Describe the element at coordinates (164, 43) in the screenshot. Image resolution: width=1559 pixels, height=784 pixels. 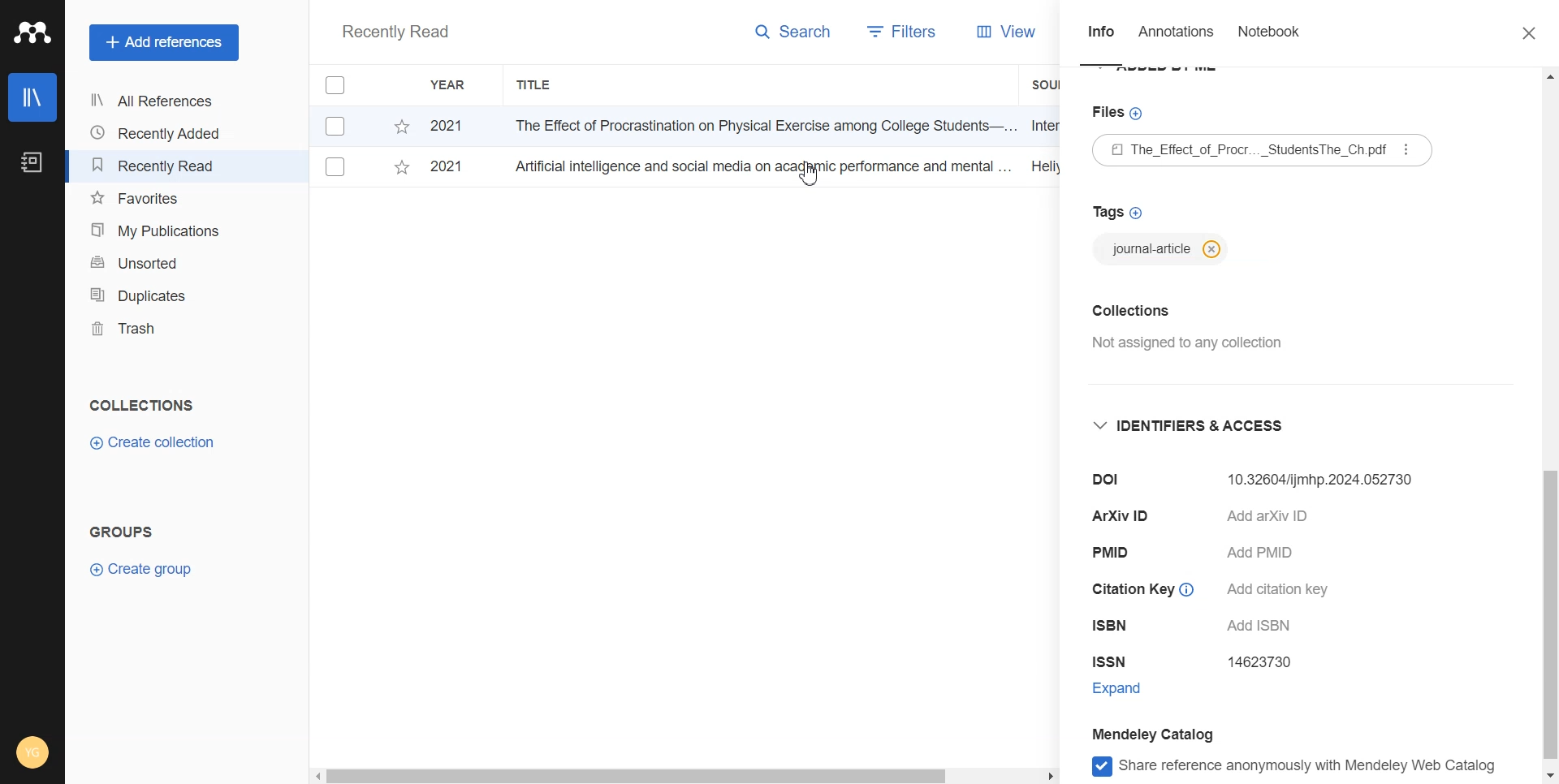
I see `Add references` at that location.